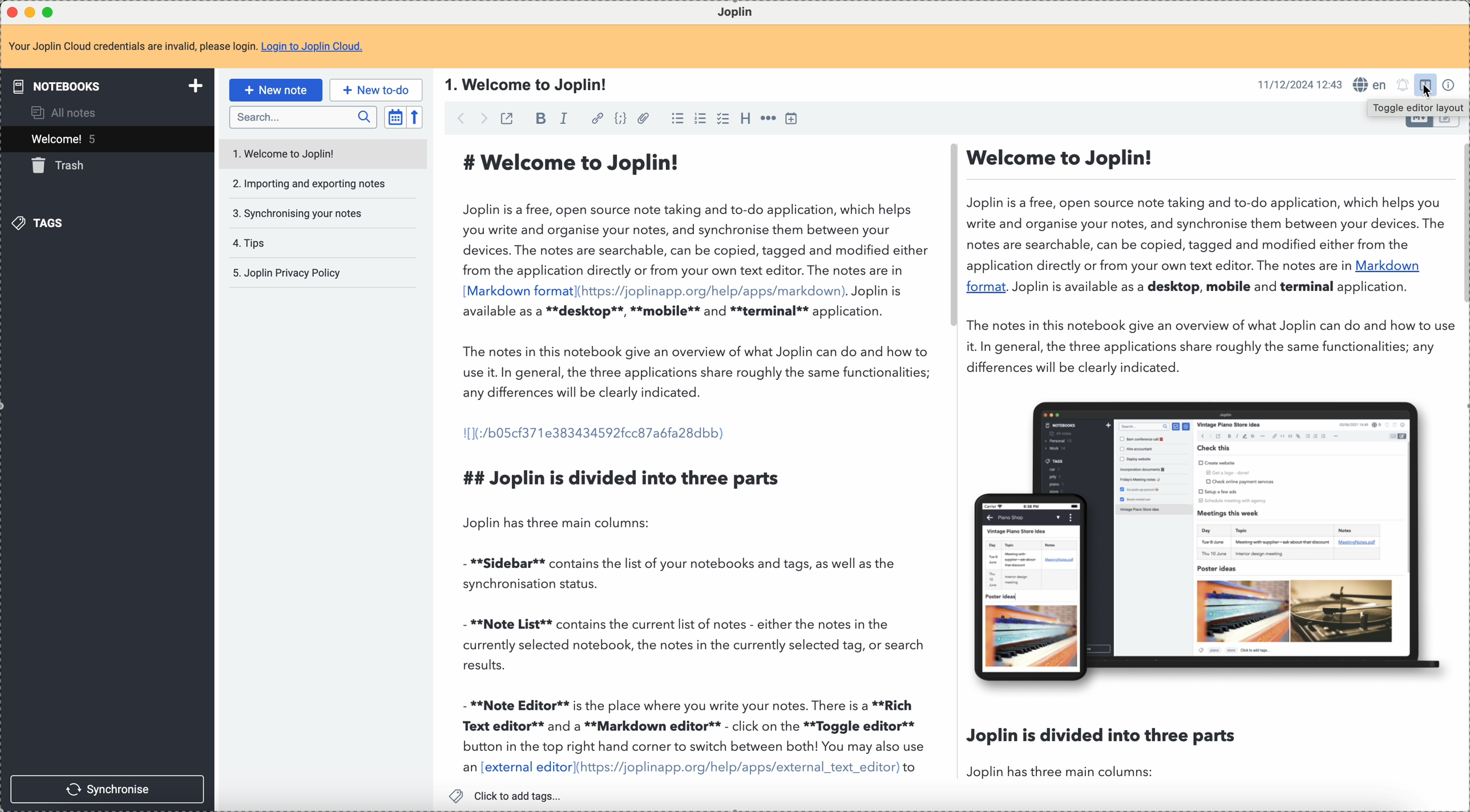  I want to click on set alarm, so click(1401, 86).